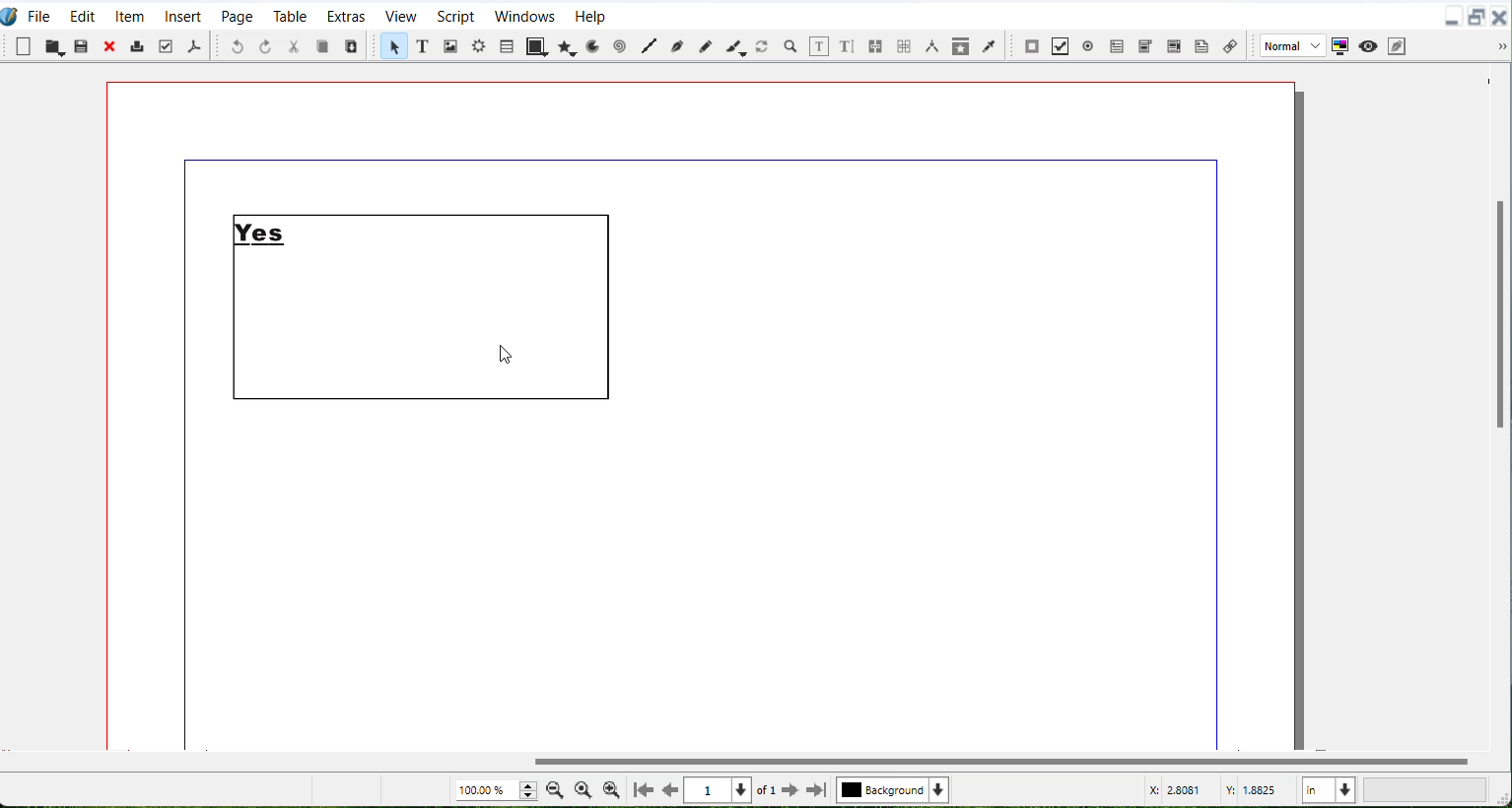 Image resolution: width=1512 pixels, height=808 pixels. Describe the element at coordinates (82, 14) in the screenshot. I see `Edit` at that location.